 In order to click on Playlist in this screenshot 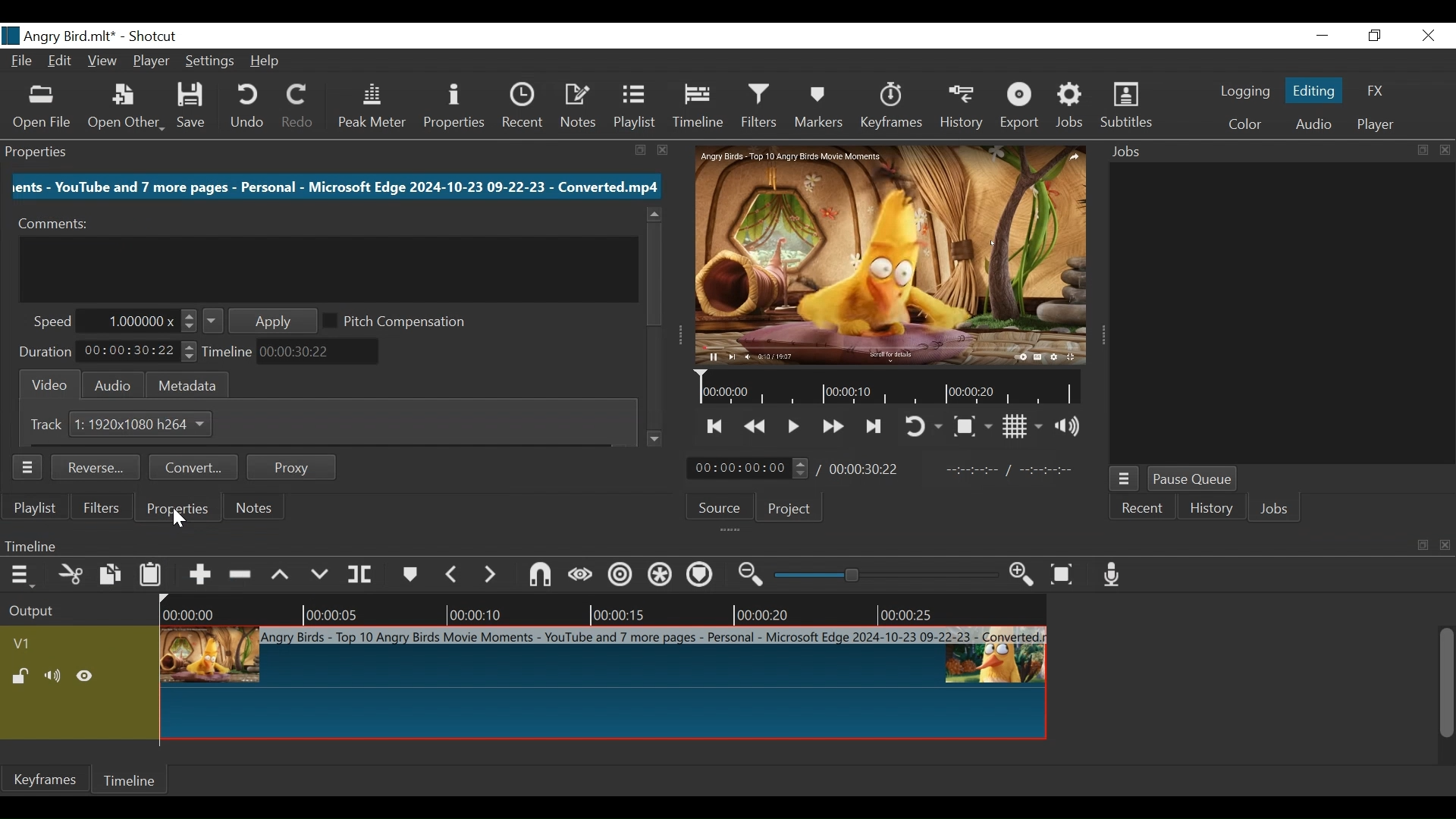, I will do `click(35, 509)`.